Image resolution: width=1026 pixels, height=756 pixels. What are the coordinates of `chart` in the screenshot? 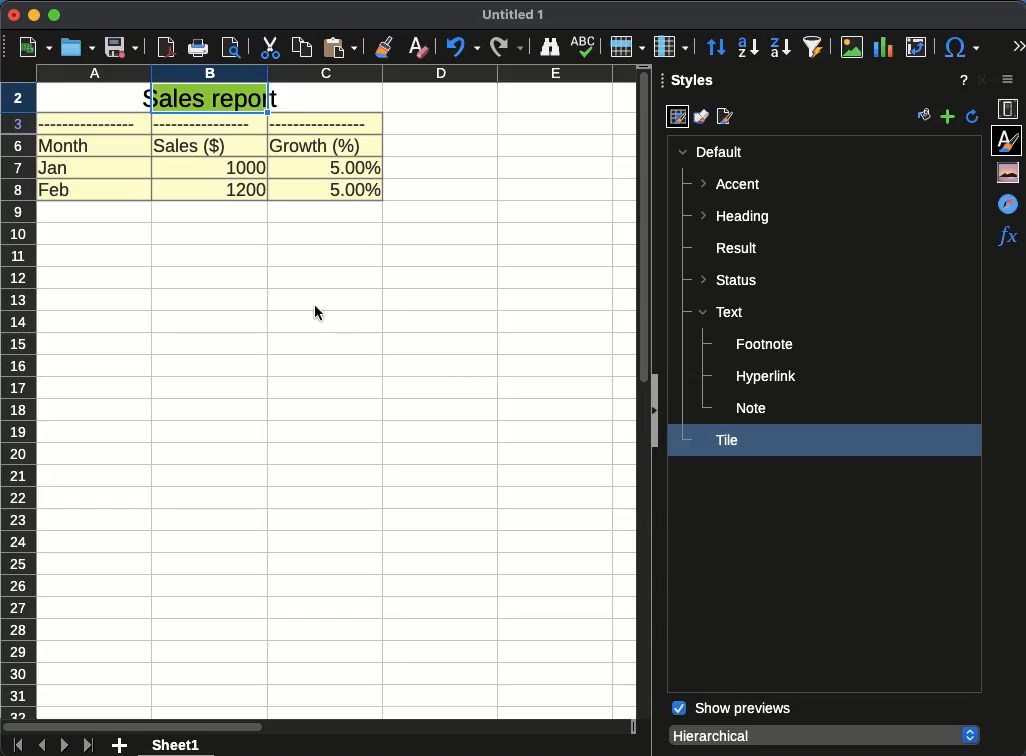 It's located at (885, 48).